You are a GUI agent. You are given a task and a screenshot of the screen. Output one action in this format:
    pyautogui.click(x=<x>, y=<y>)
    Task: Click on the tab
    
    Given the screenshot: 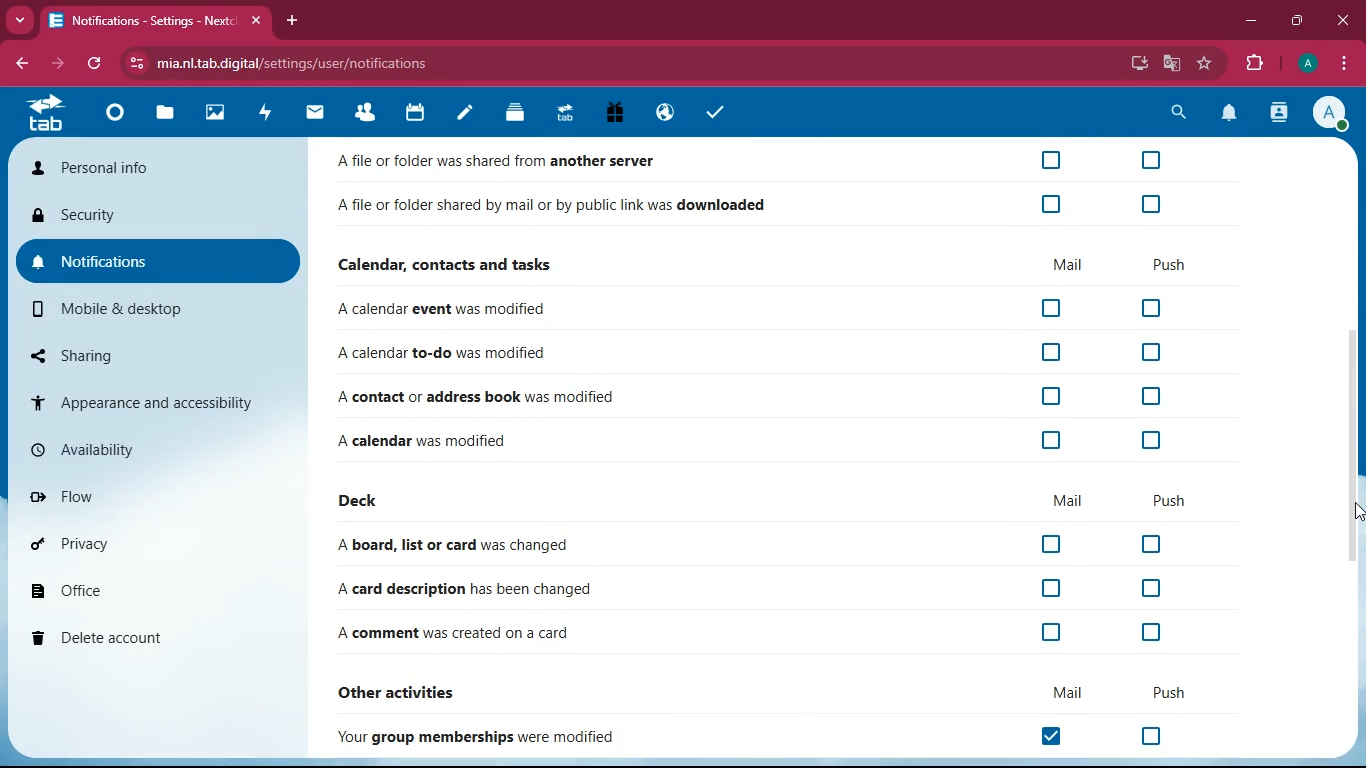 What is the action you would take?
    pyautogui.click(x=52, y=114)
    